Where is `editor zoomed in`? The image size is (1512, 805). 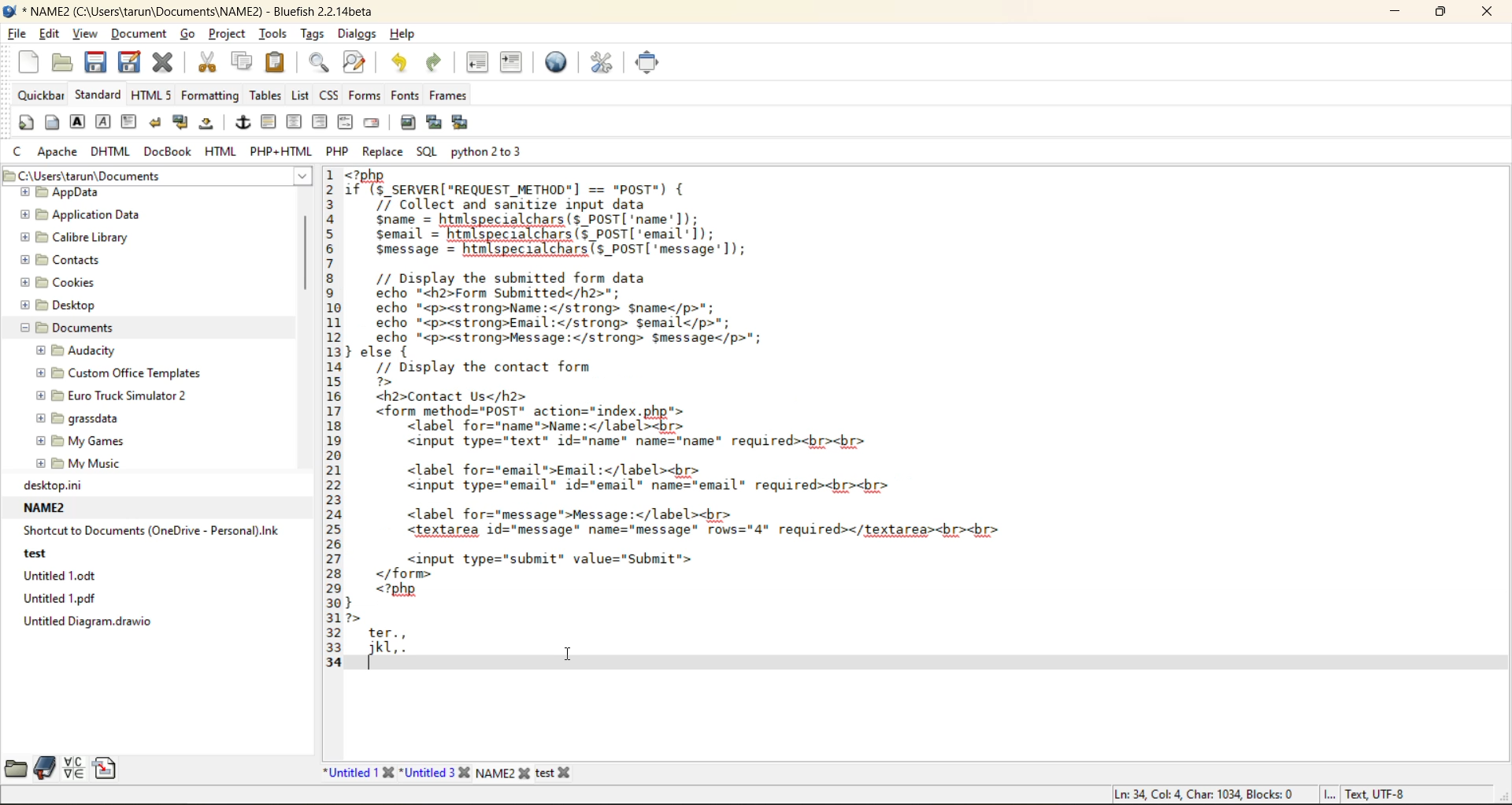 editor zoomed in is located at coordinates (713, 421).